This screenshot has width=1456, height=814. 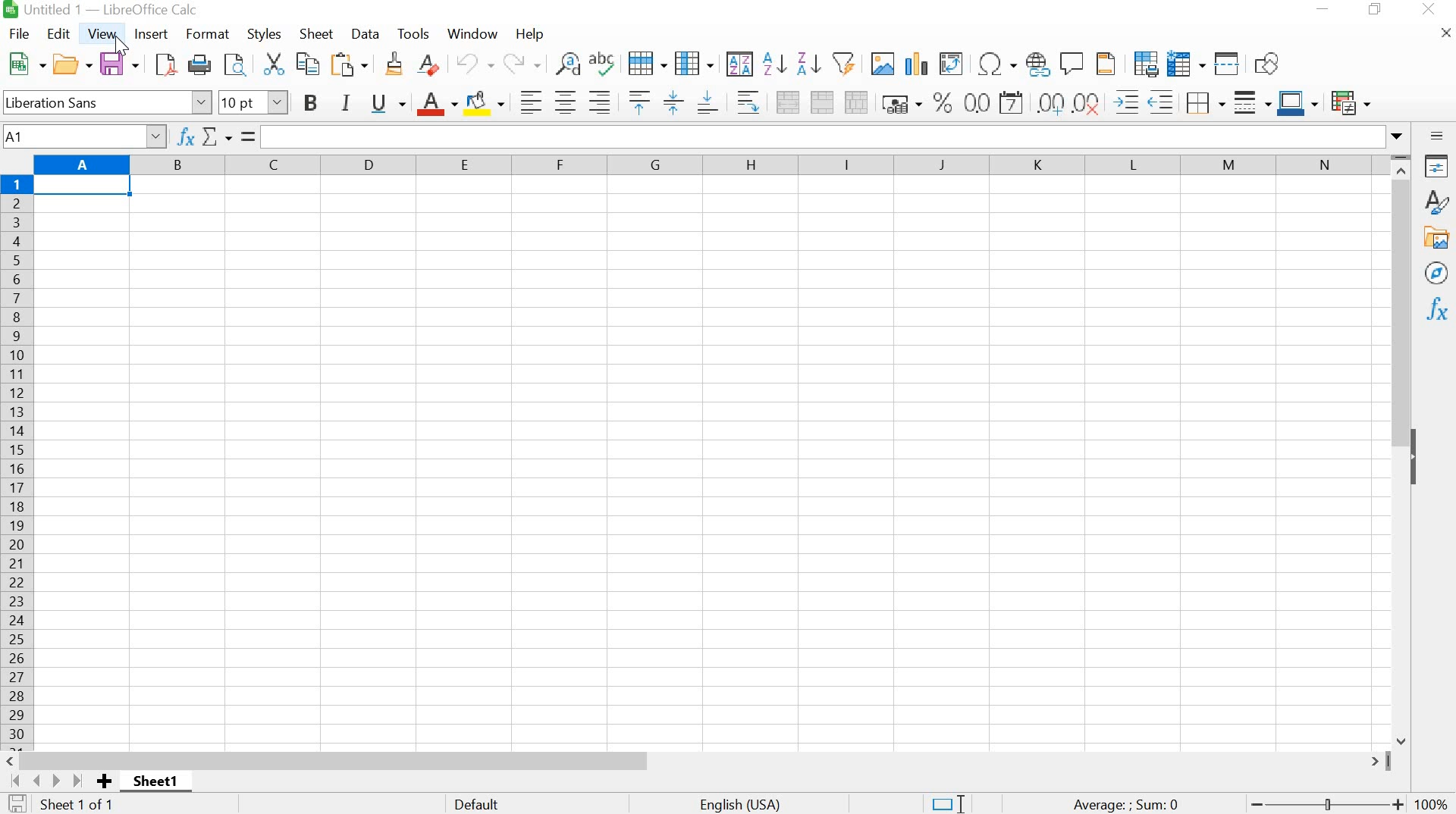 What do you see at coordinates (18, 459) in the screenshot?
I see `ROWS` at bounding box center [18, 459].